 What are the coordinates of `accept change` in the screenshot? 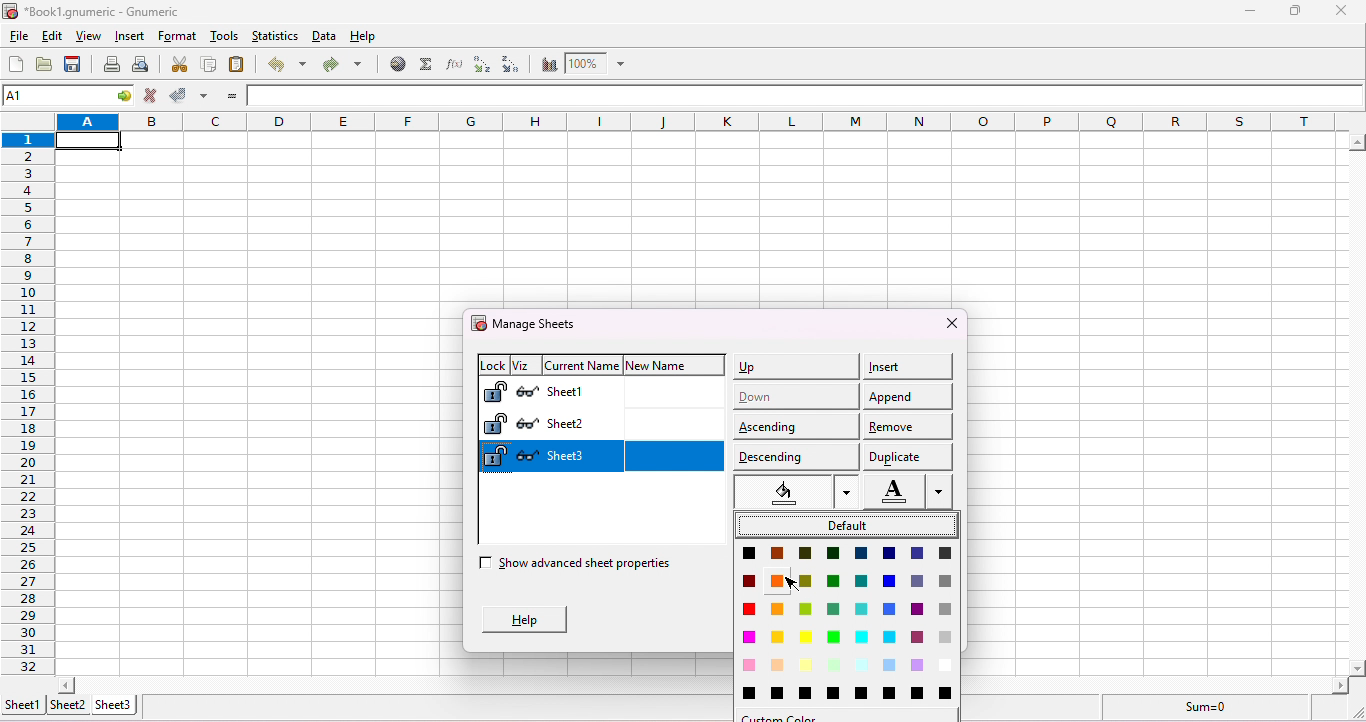 It's located at (190, 95).